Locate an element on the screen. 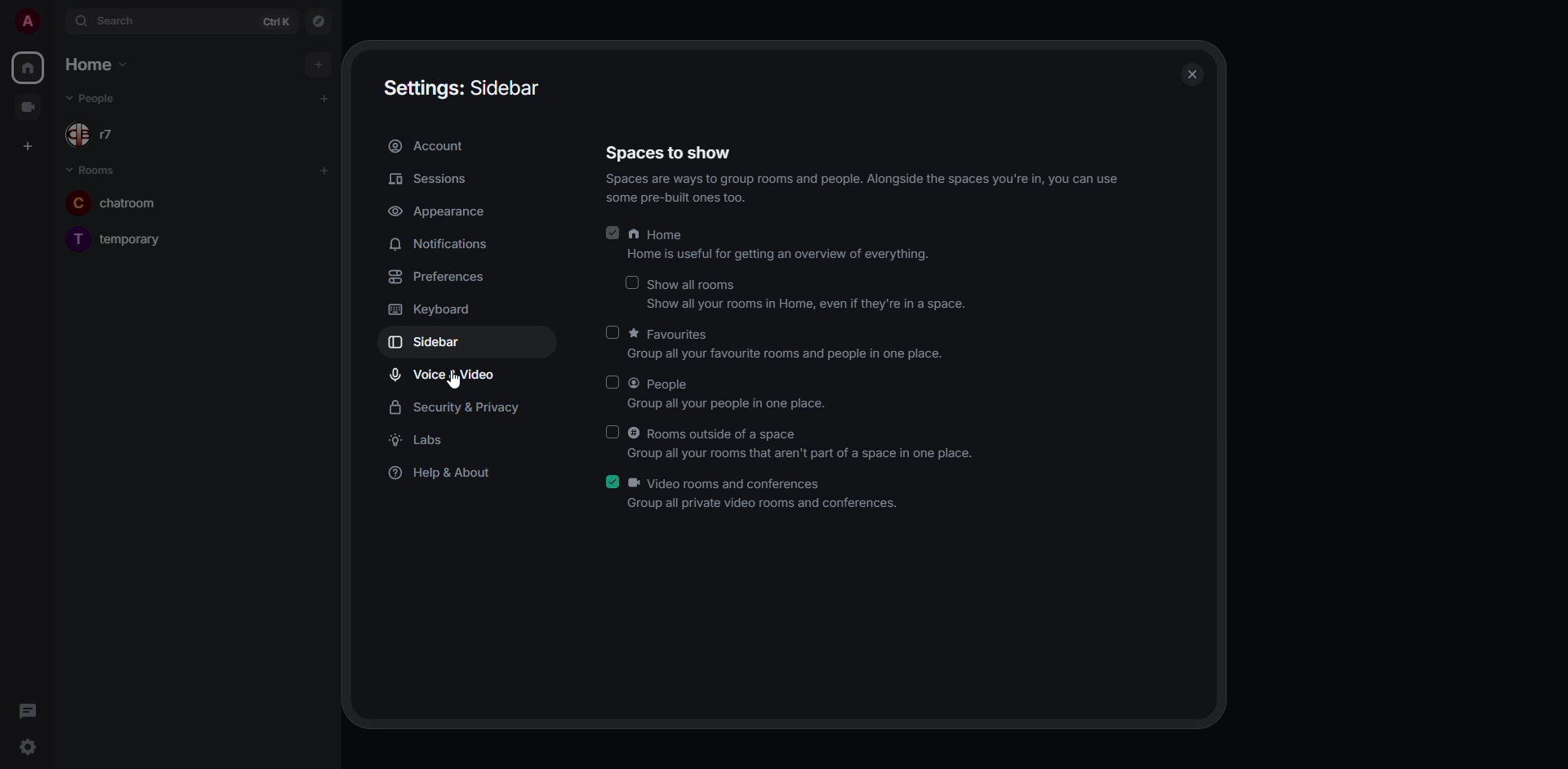 The image size is (1568, 769). people is located at coordinates (732, 384).